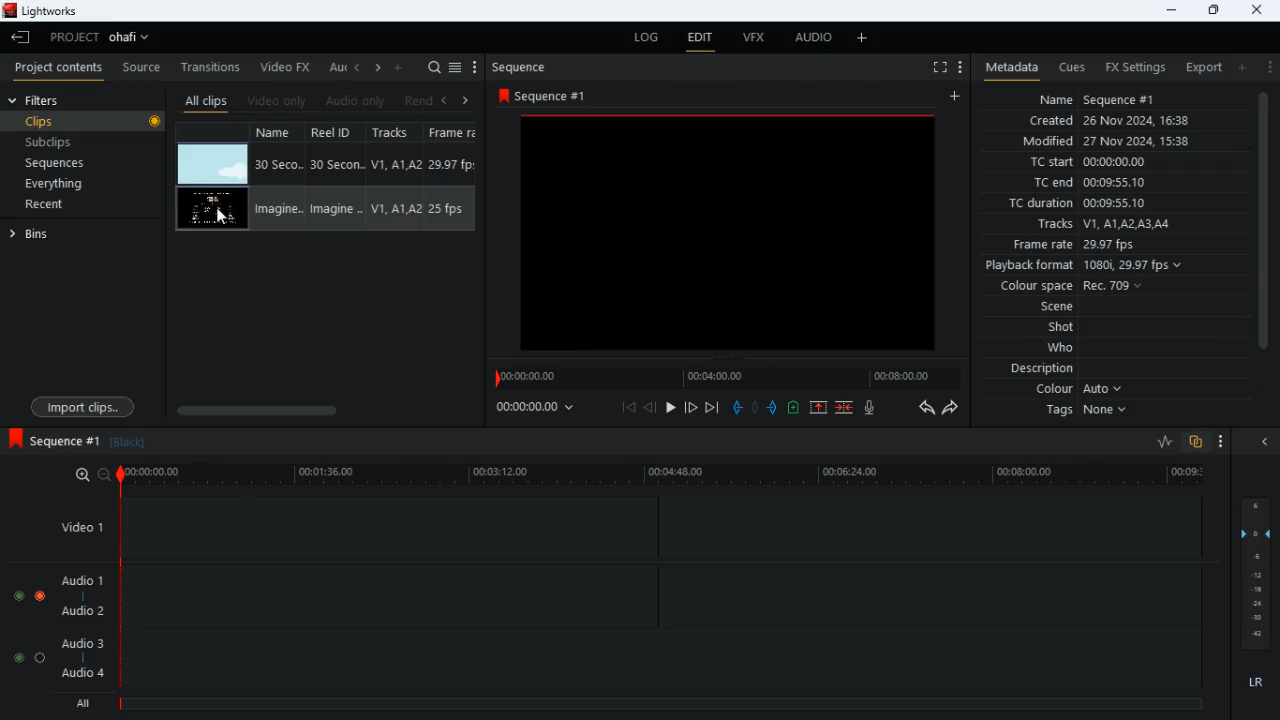  Describe the element at coordinates (542, 410) in the screenshot. I see `time` at that location.